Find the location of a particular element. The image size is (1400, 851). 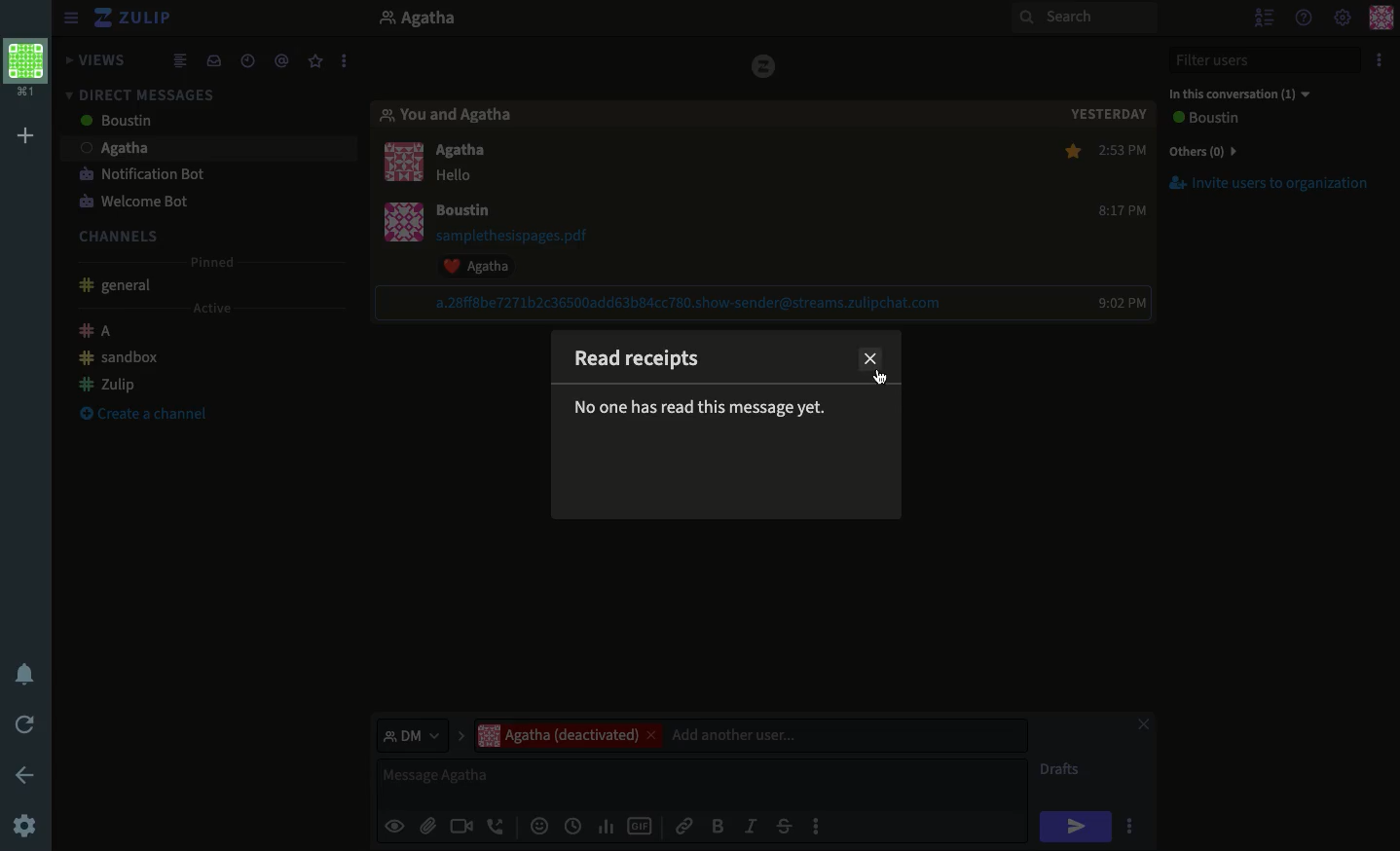

logo is located at coordinates (758, 65).